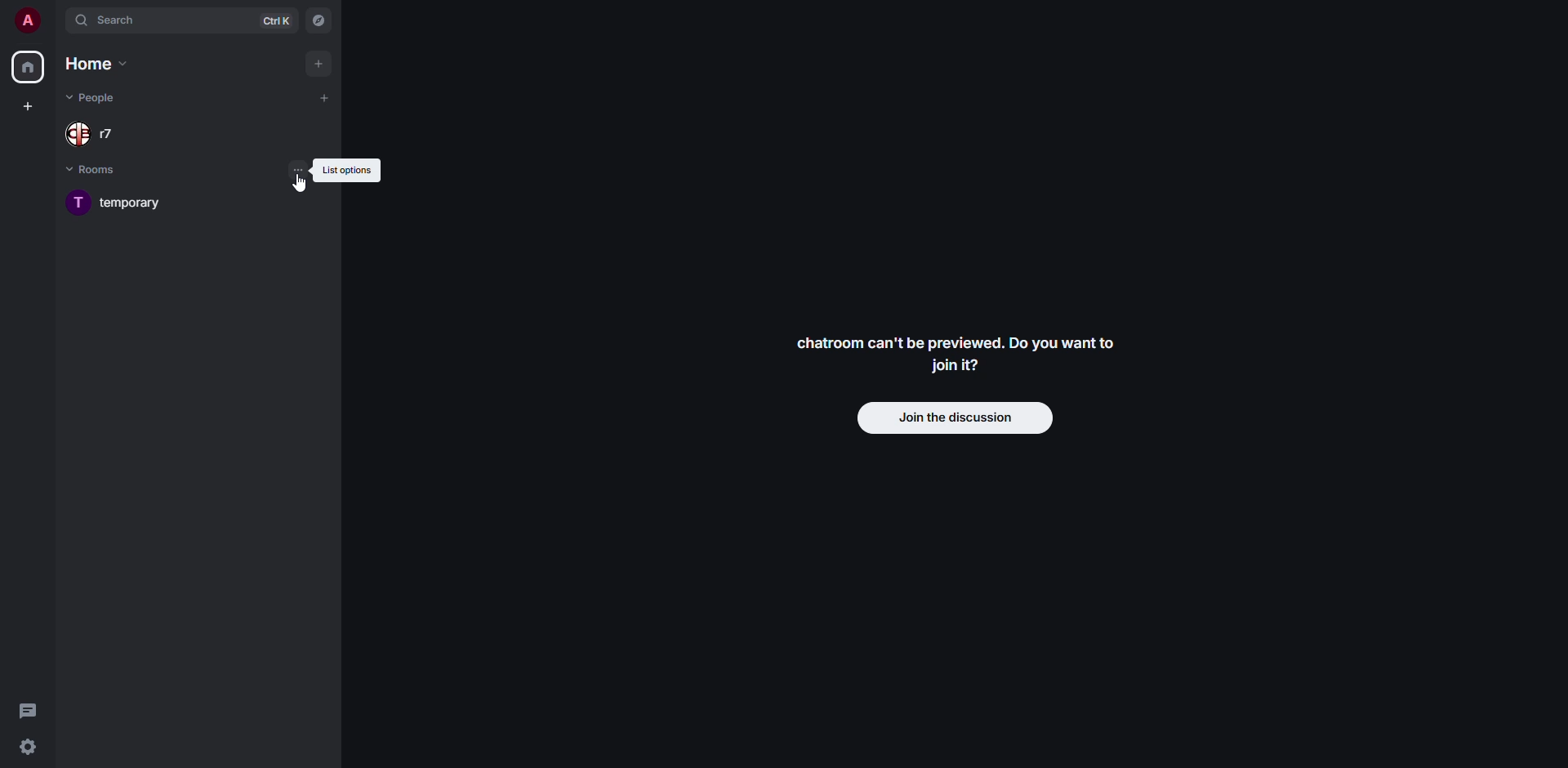 This screenshot has height=768, width=1568. I want to click on profile, so click(28, 21).